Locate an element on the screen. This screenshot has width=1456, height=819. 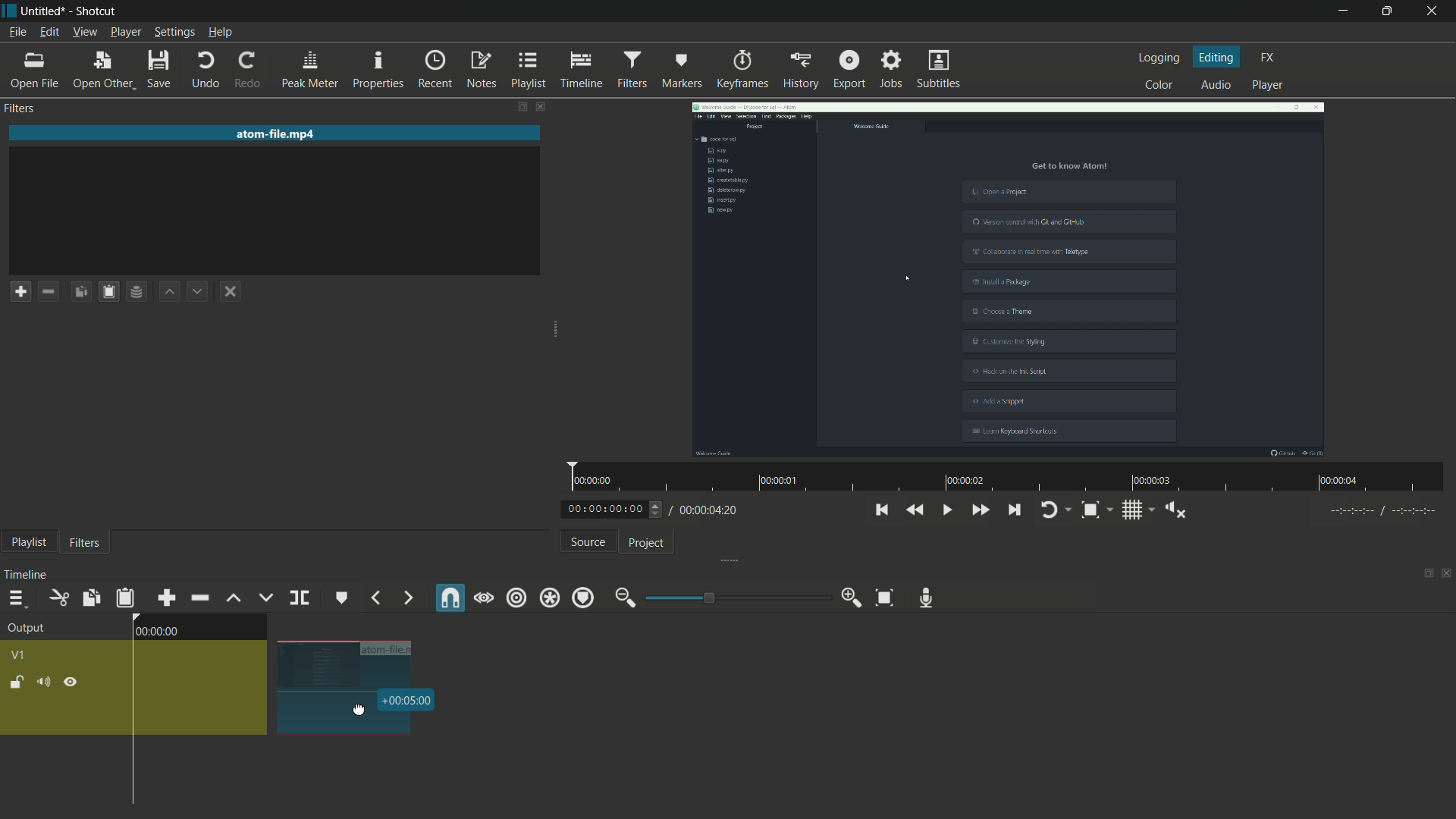
move filter up is located at coordinates (233, 600).